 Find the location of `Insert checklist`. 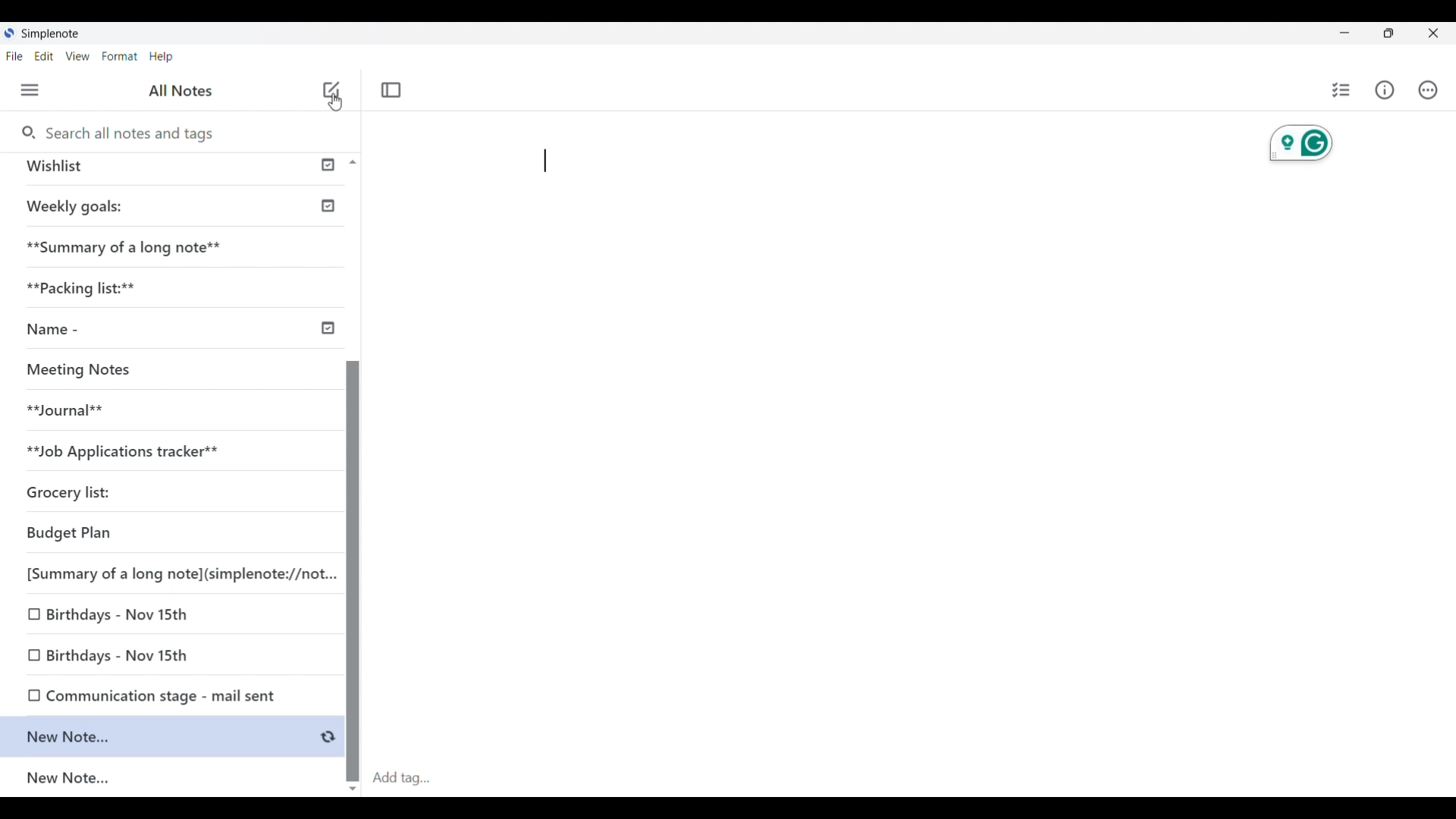

Insert checklist is located at coordinates (1341, 90).